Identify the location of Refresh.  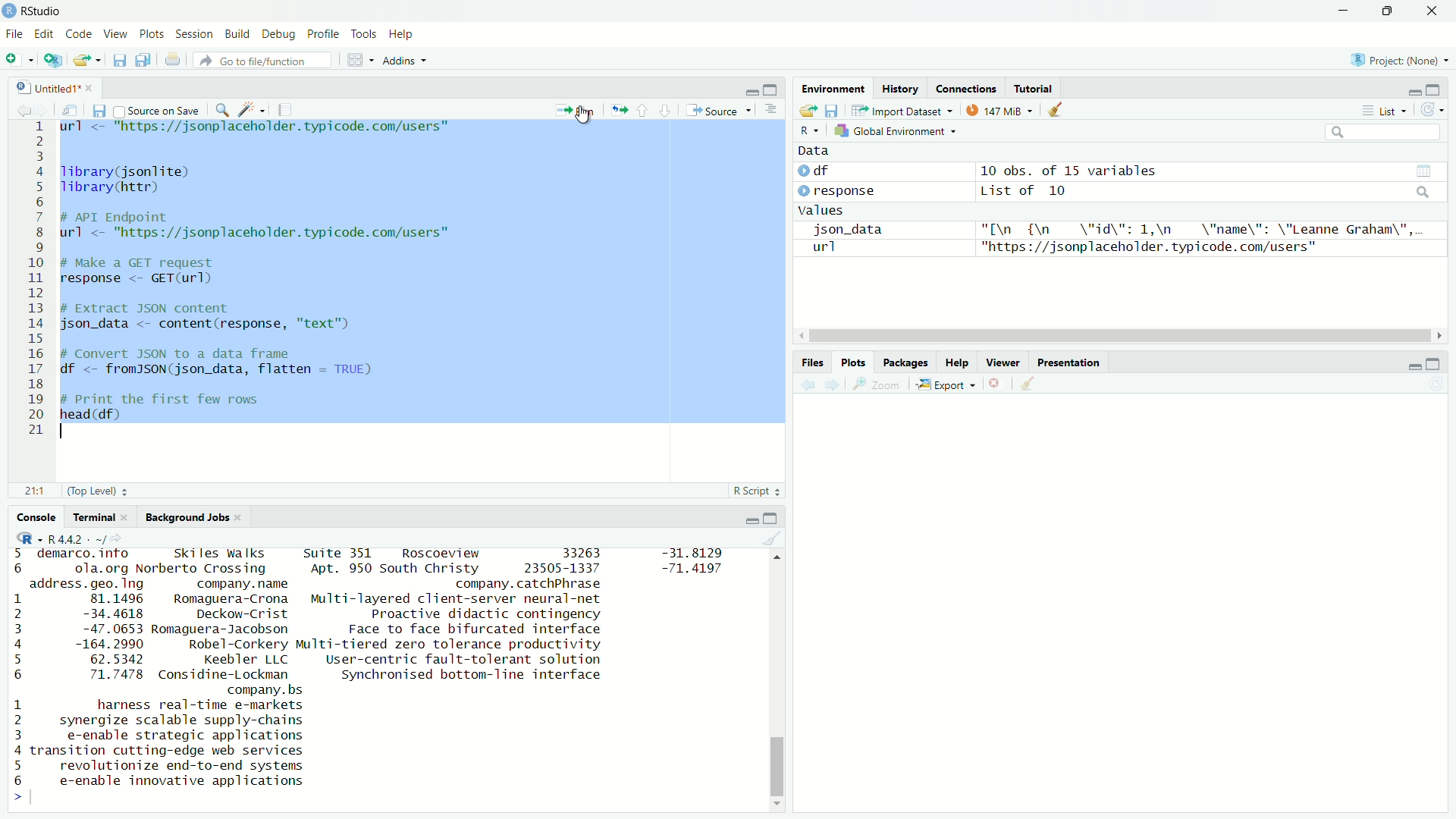
(1432, 108).